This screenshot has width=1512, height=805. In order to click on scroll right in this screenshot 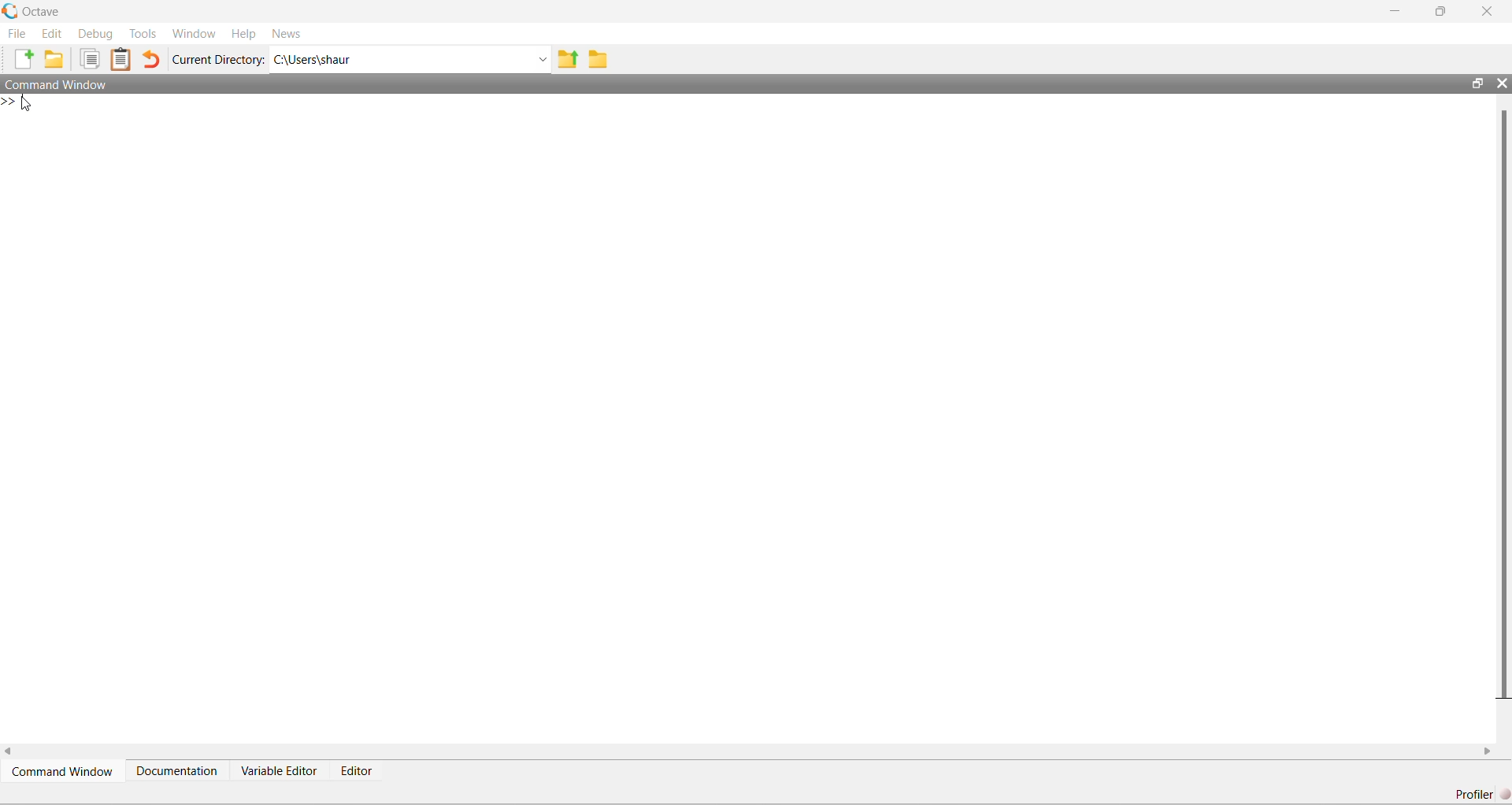, I will do `click(1488, 751)`.